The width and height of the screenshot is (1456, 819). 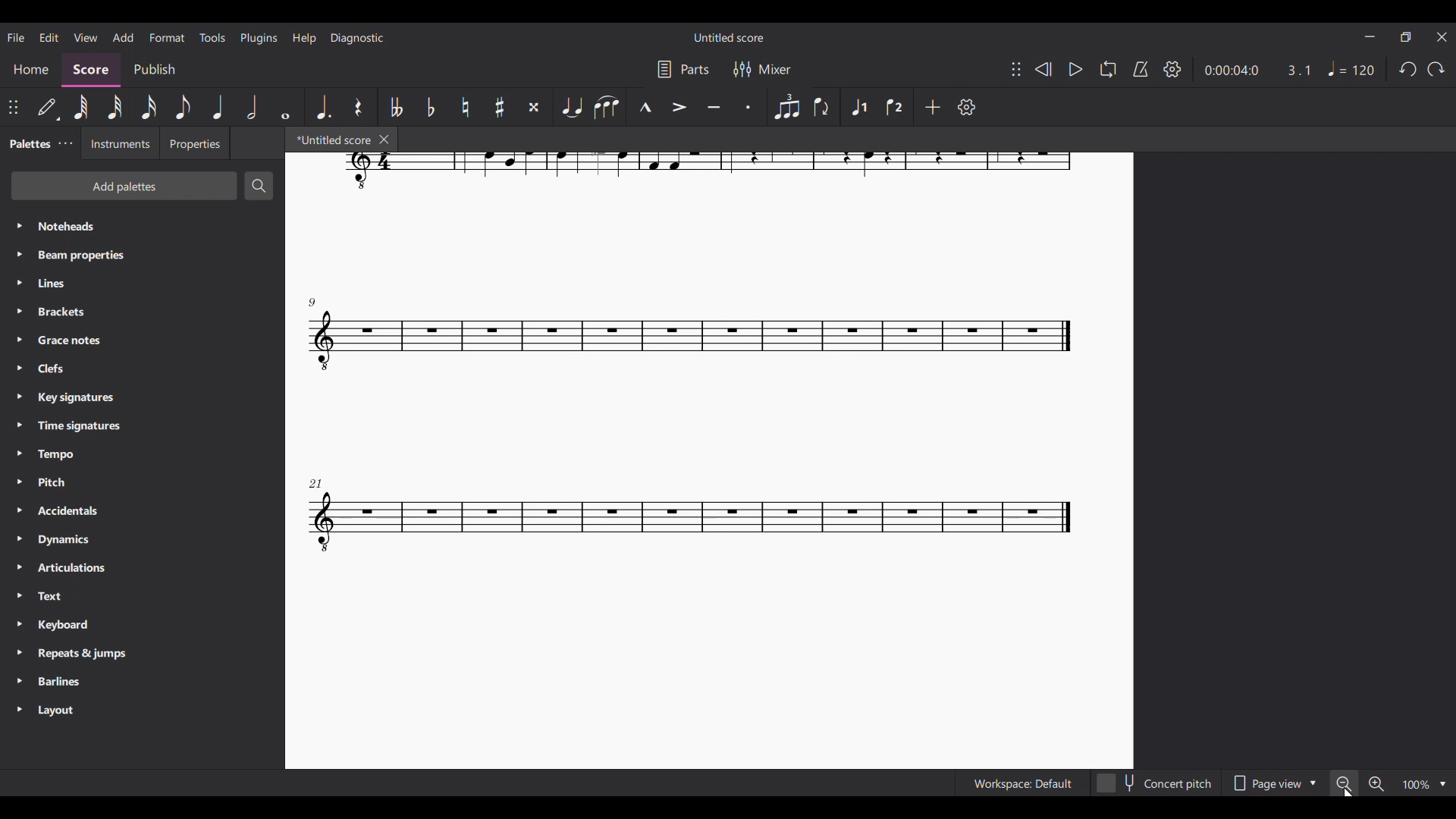 I want to click on Plugins menu, so click(x=259, y=39).